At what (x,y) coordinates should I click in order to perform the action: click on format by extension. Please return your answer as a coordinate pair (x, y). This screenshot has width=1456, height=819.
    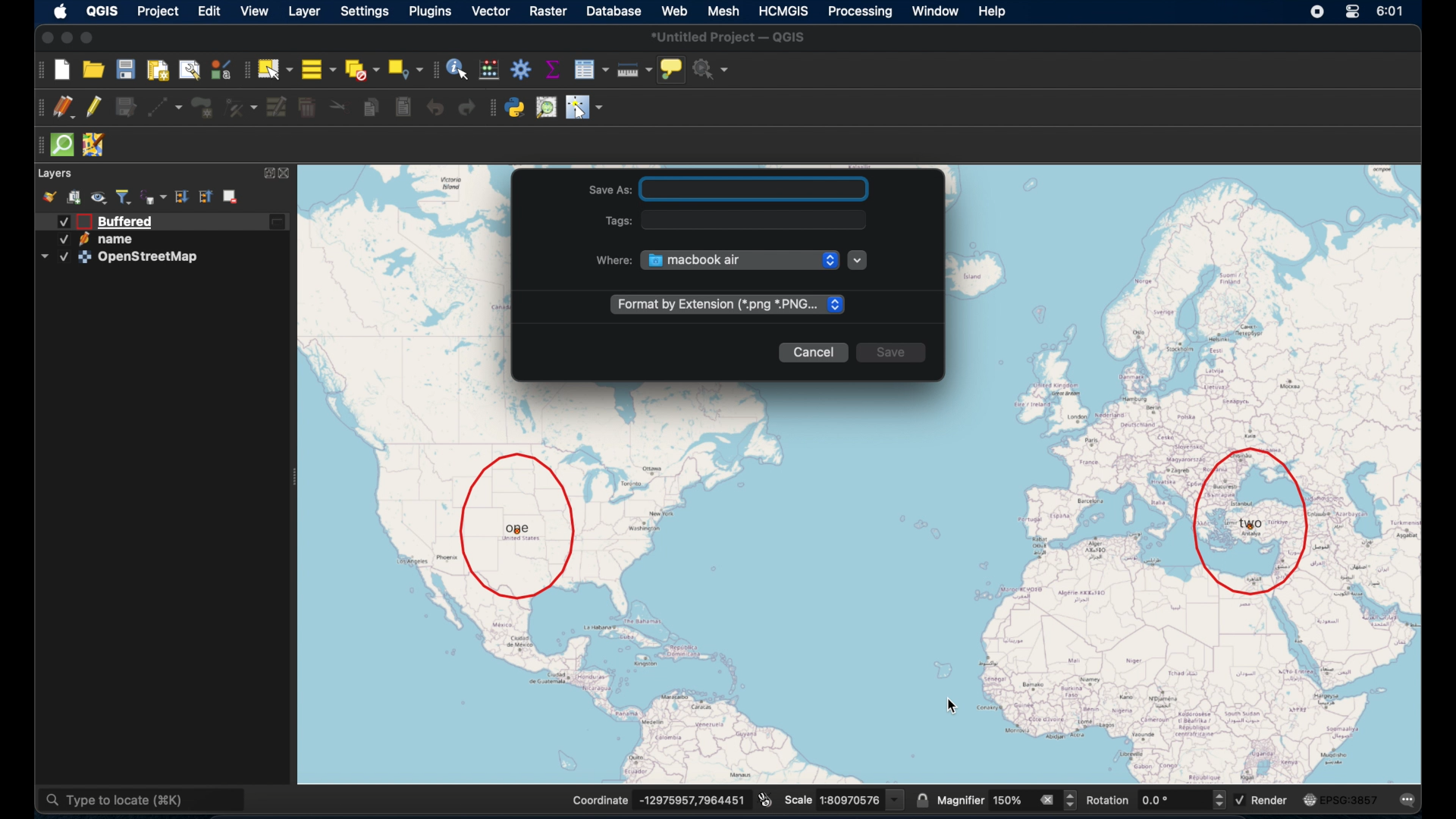
    Looking at the image, I should click on (726, 305).